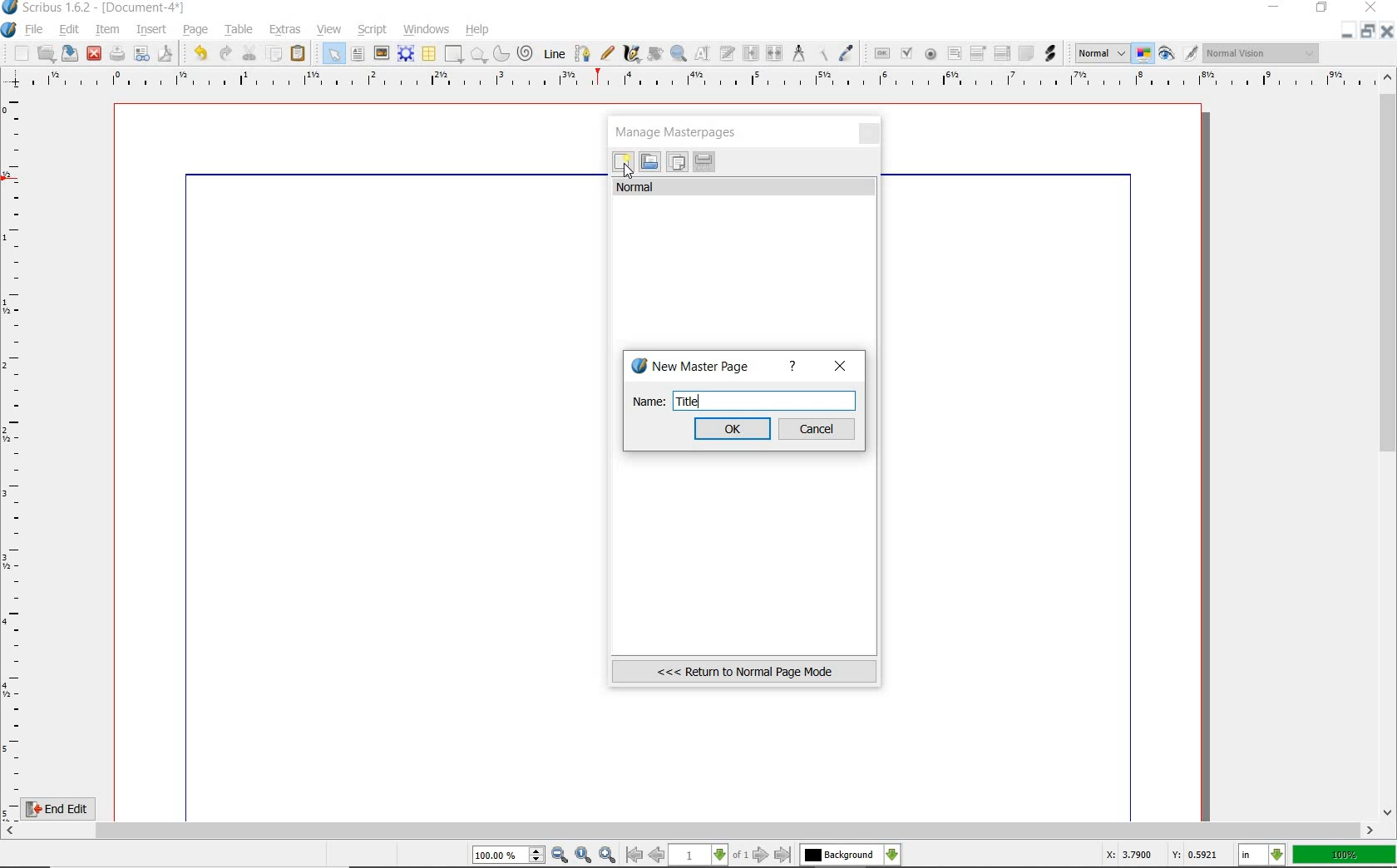 The image size is (1397, 868). Describe the element at coordinates (1389, 31) in the screenshot. I see `close` at that location.